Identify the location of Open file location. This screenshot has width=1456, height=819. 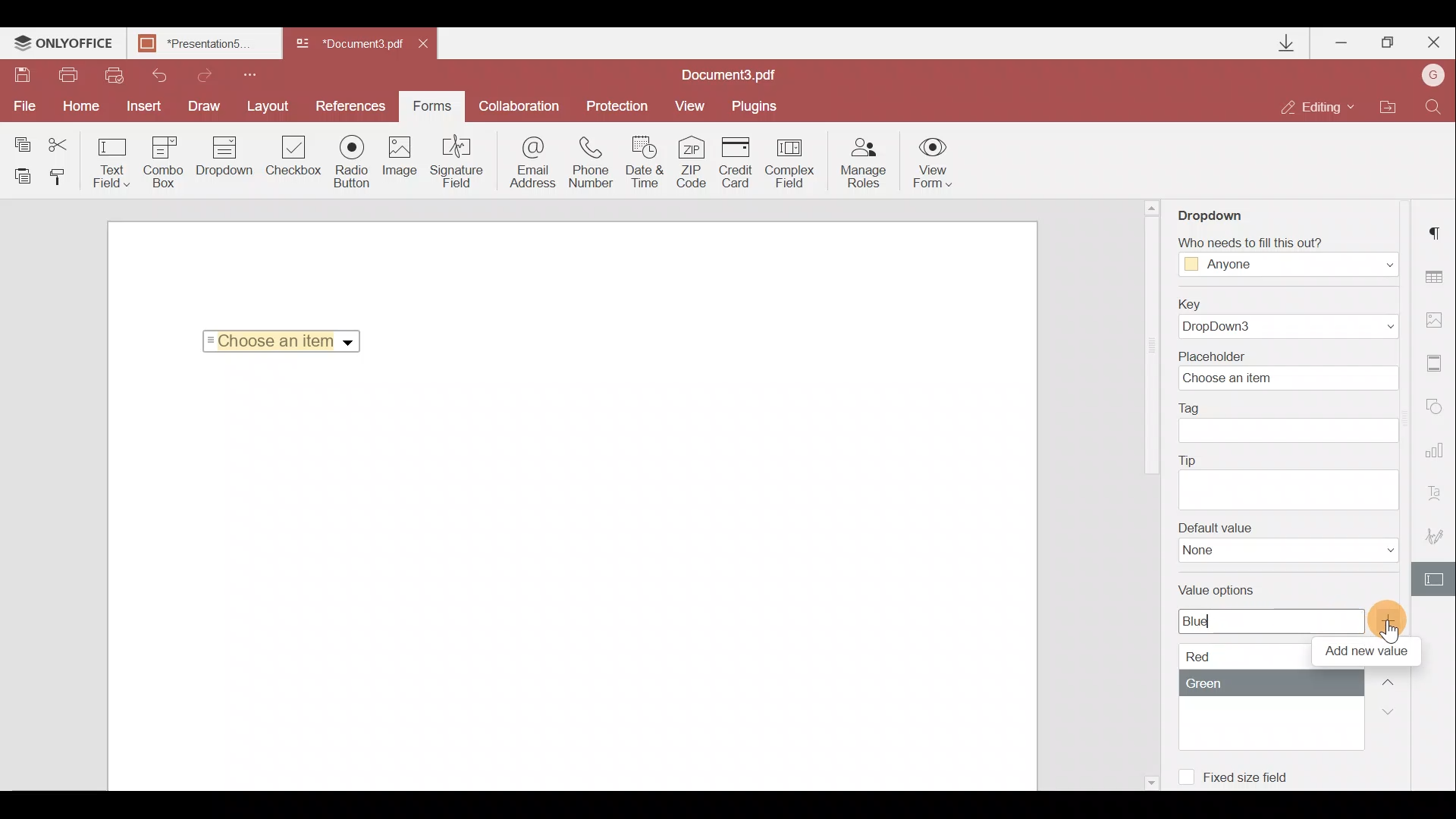
(1389, 106).